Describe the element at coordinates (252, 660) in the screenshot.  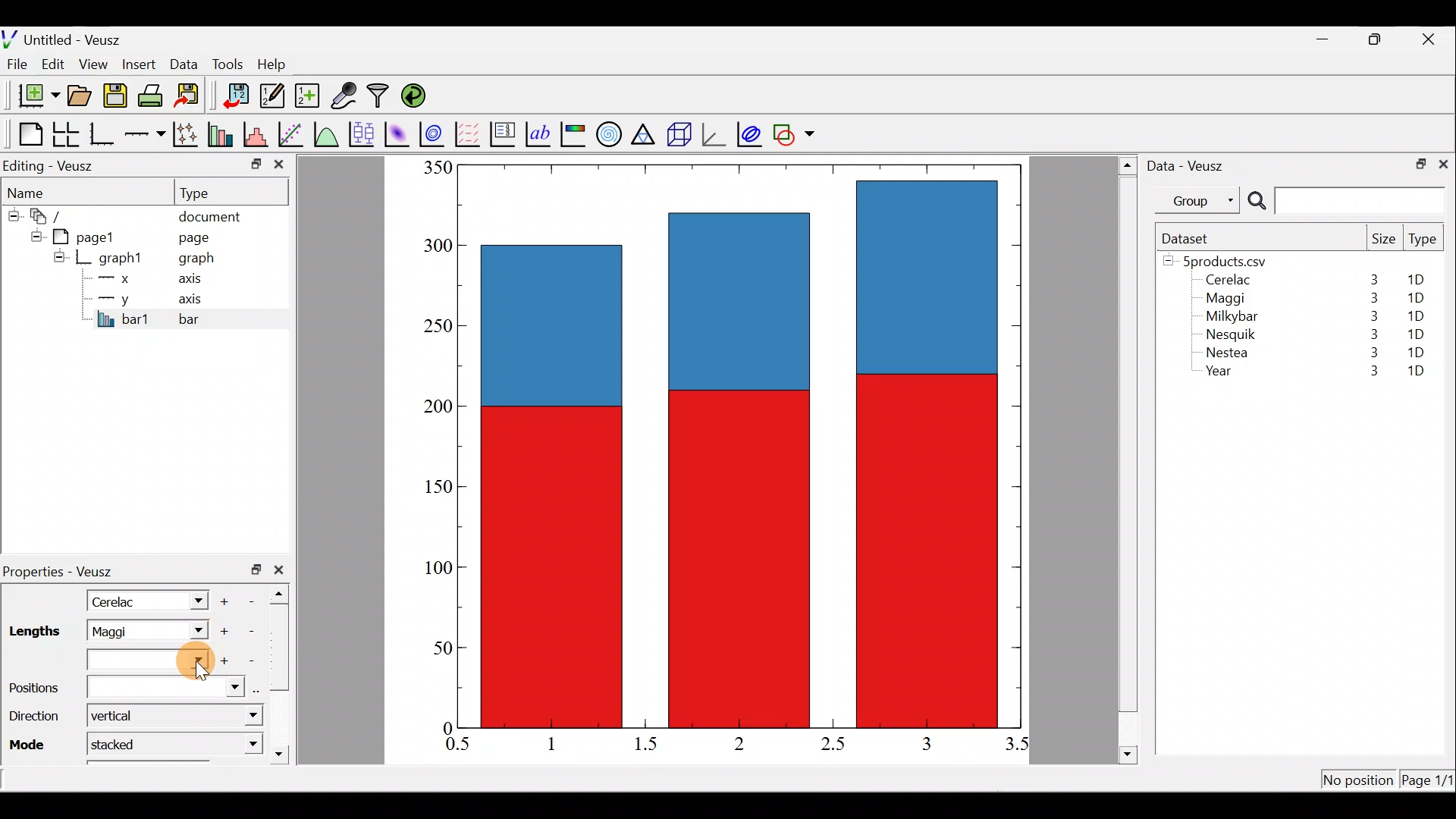
I see `Remove item` at that location.